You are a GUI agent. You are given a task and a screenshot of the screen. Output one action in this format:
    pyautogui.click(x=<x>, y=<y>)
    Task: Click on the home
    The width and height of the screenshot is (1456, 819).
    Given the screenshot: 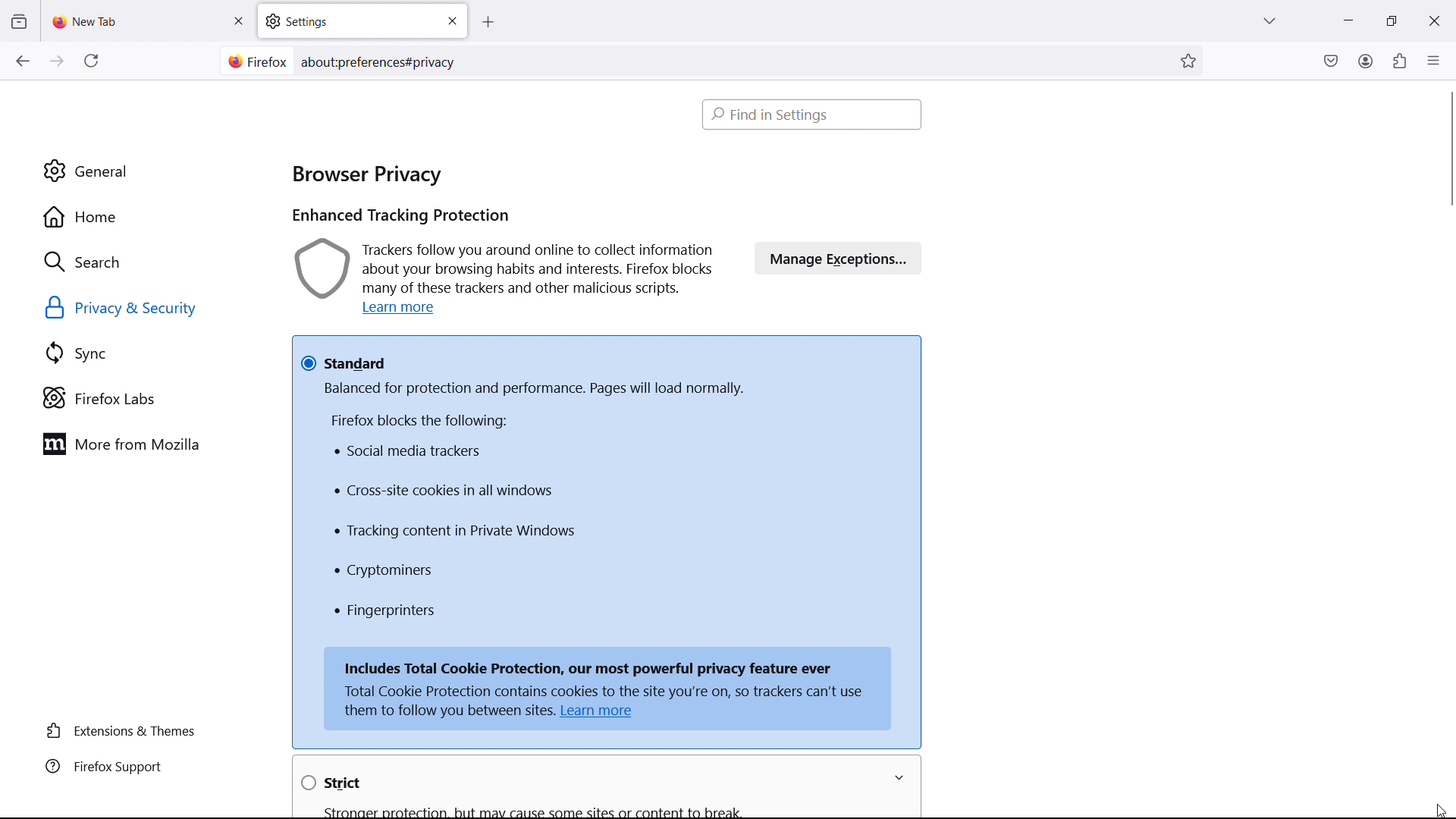 What is the action you would take?
    pyautogui.click(x=144, y=217)
    